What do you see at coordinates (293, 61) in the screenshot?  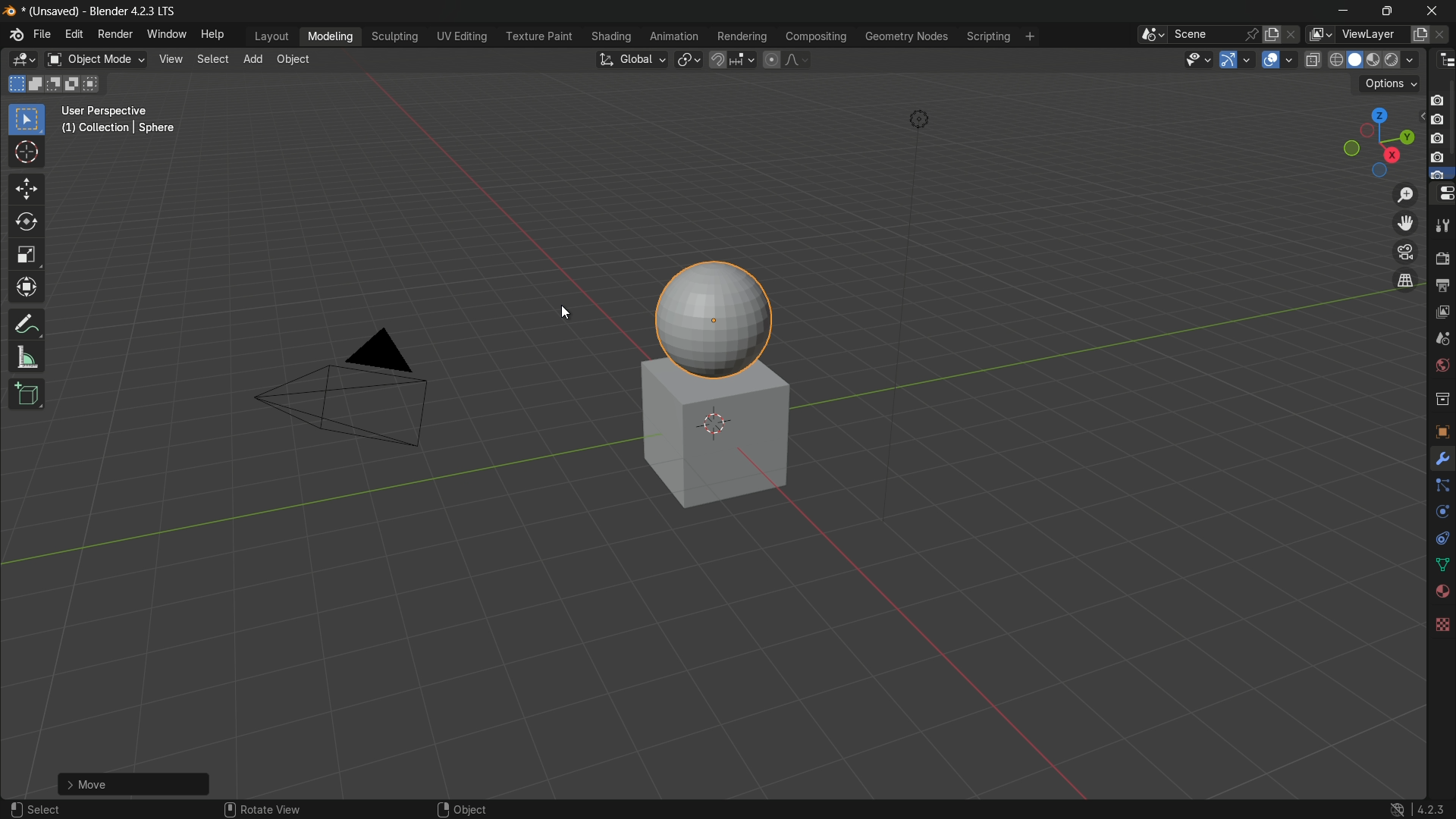 I see `object` at bounding box center [293, 61].